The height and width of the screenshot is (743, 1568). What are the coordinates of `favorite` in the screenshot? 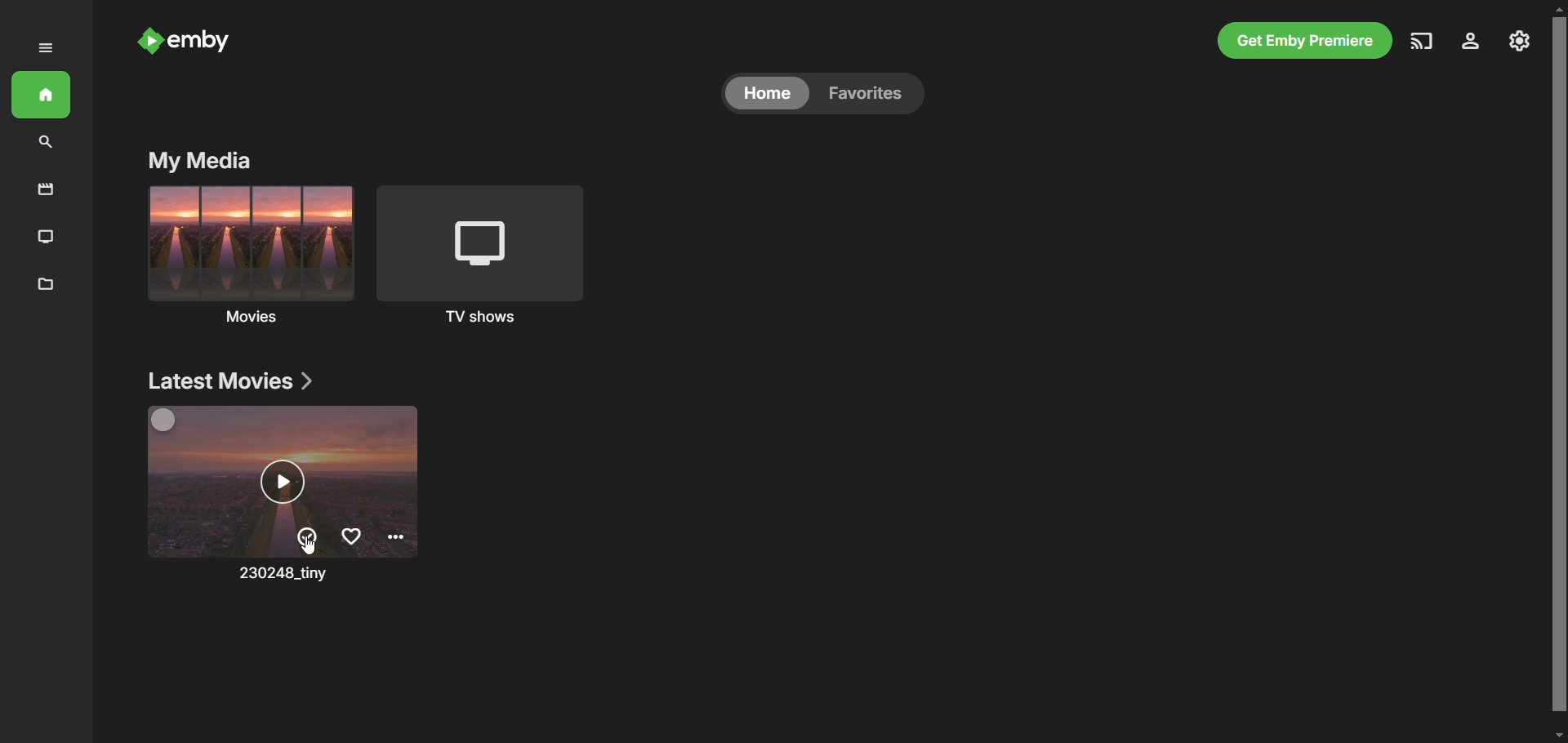 It's located at (874, 96).